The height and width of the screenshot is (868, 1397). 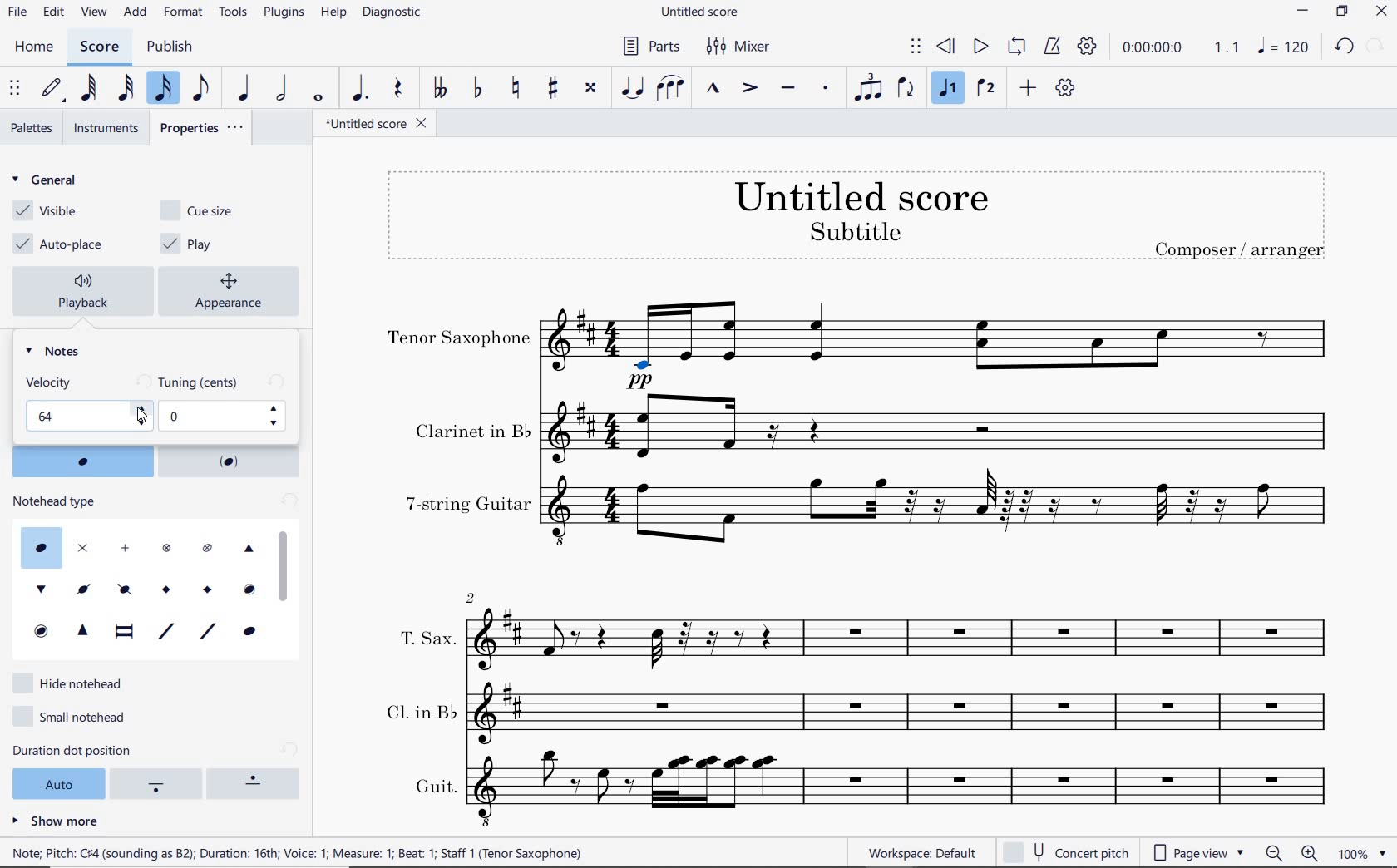 What do you see at coordinates (467, 504) in the screenshot?
I see `text` at bounding box center [467, 504].